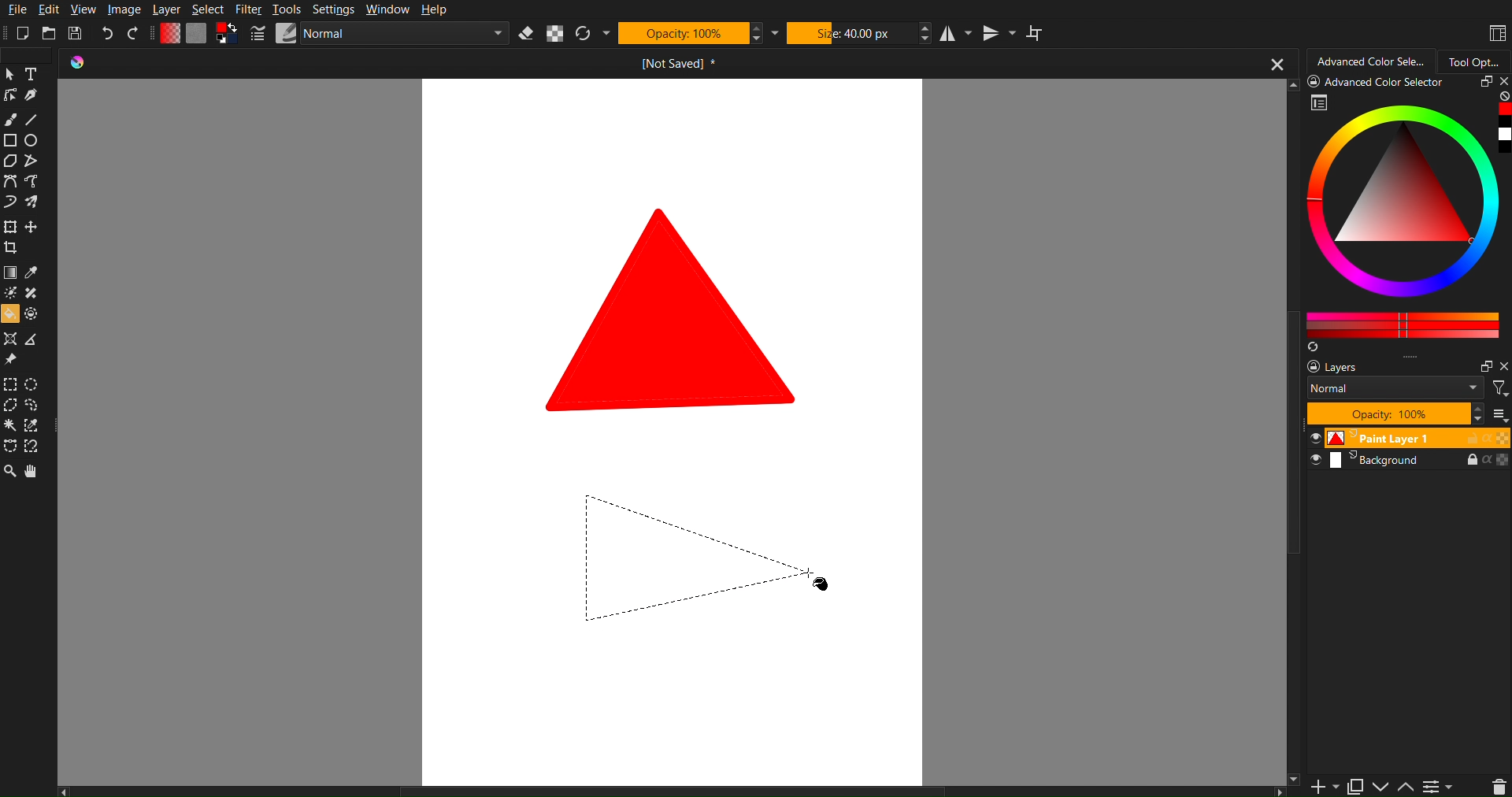  I want to click on Tool Options, so click(1479, 60).